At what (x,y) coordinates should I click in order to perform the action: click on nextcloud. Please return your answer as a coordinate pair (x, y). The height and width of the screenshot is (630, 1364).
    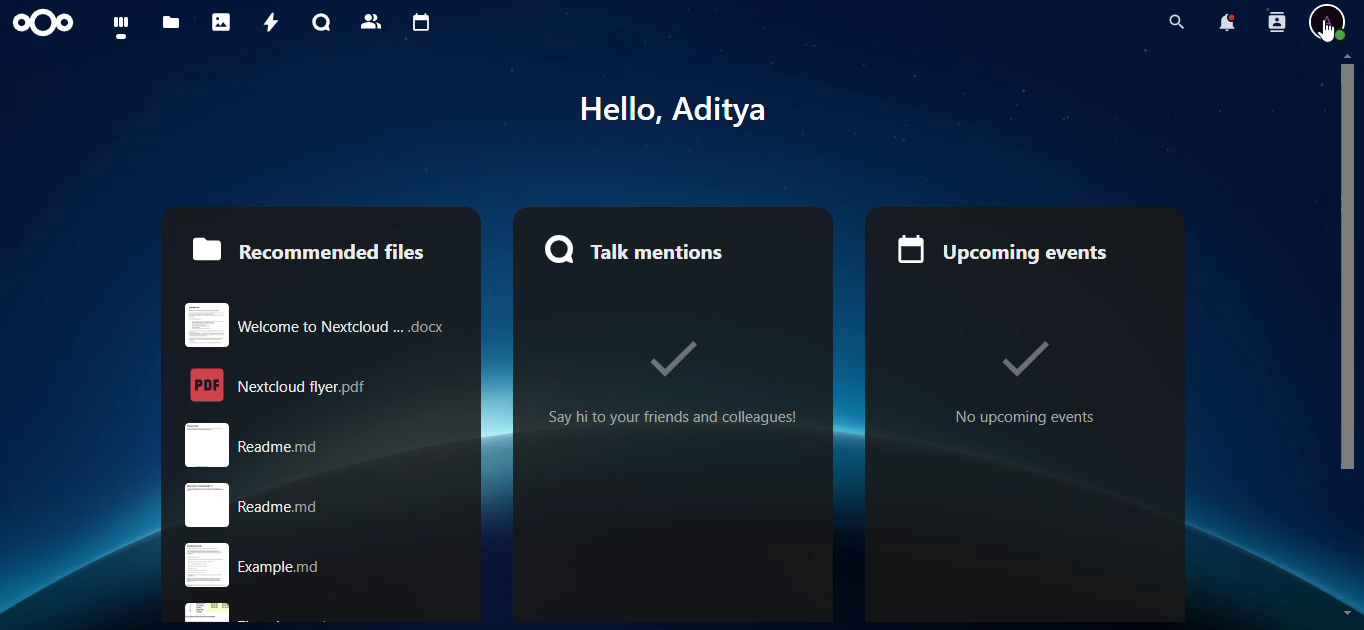
    Looking at the image, I should click on (48, 24).